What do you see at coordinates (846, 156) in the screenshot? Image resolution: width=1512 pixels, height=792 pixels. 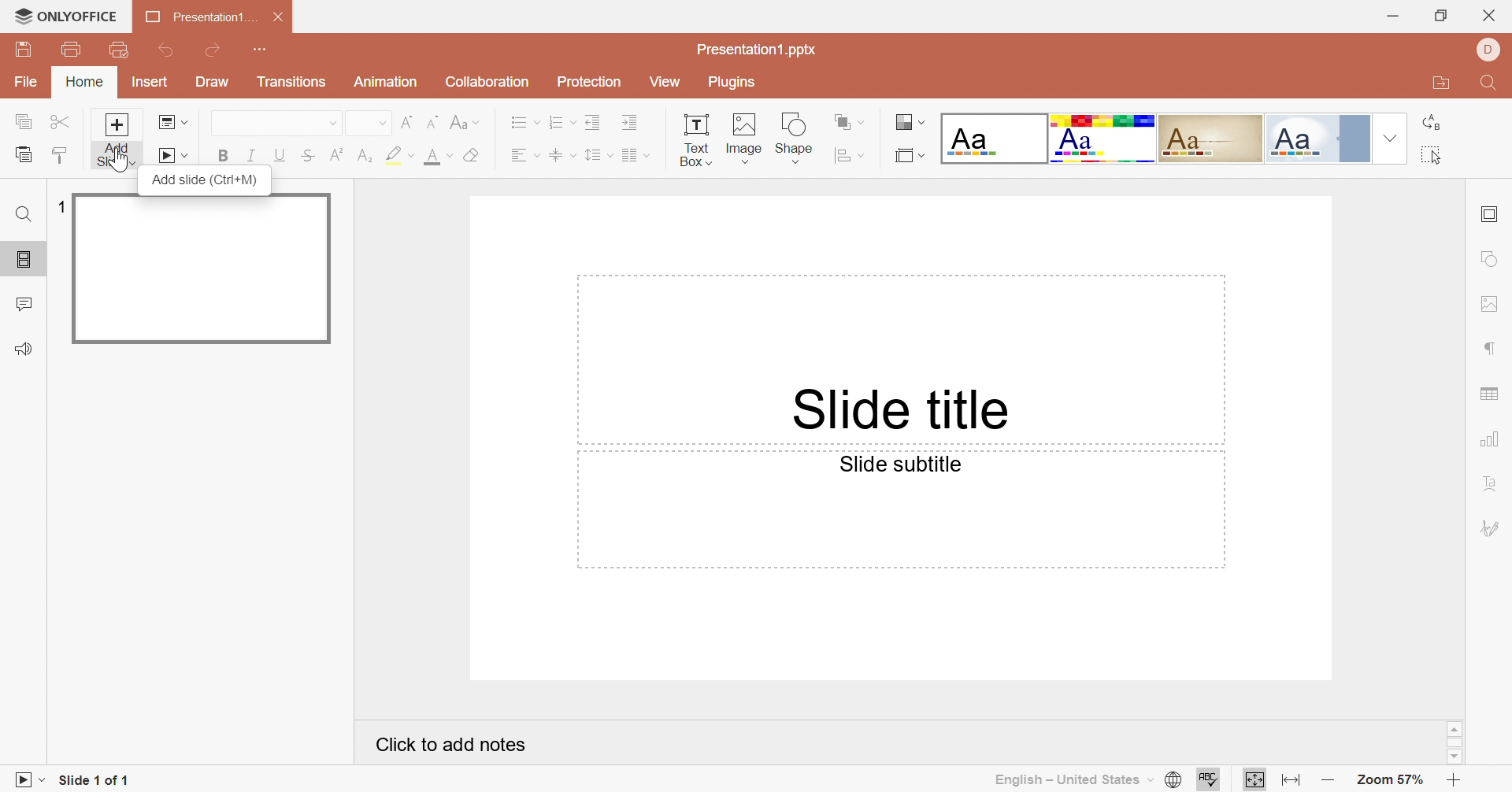 I see `Align Size` at bounding box center [846, 156].